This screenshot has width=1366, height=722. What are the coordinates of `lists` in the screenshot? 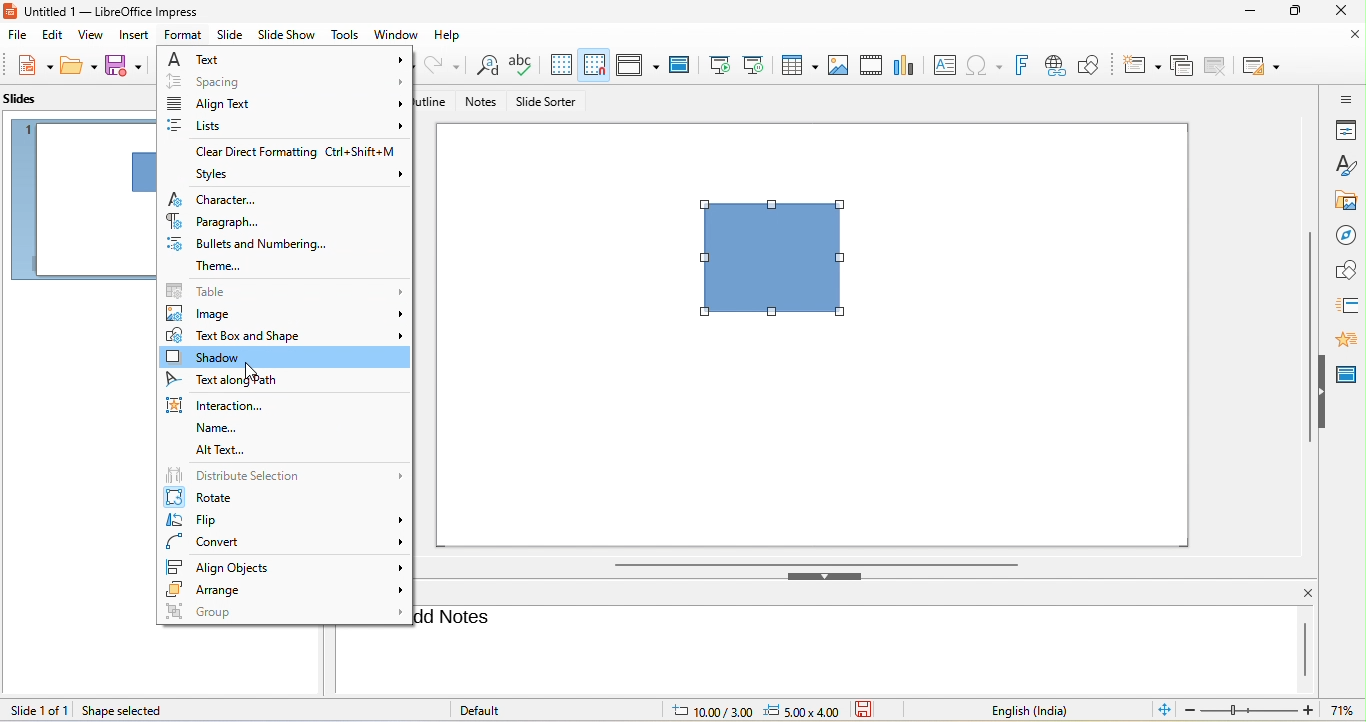 It's located at (287, 124).